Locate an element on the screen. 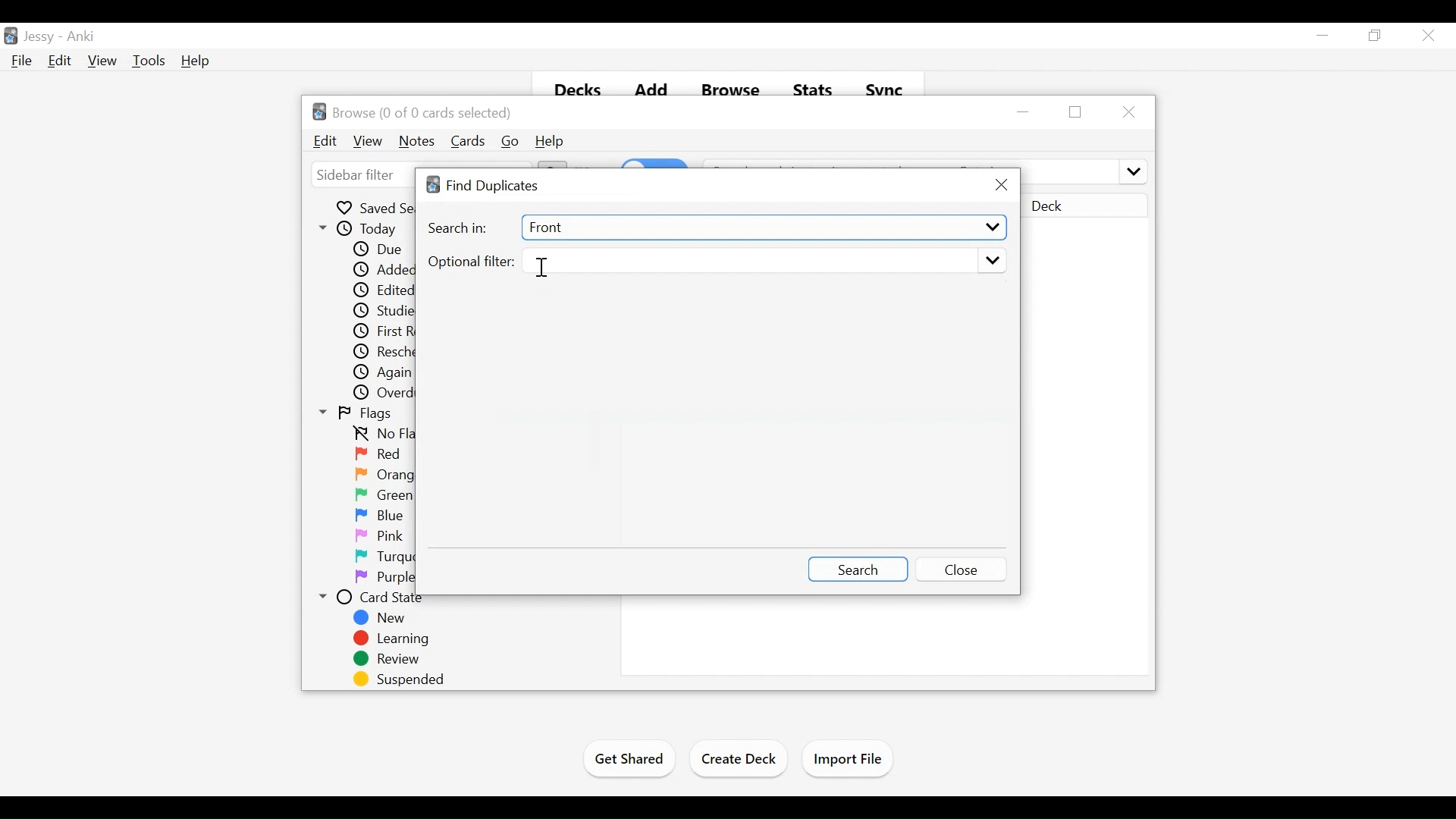  Sync is located at coordinates (886, 87).